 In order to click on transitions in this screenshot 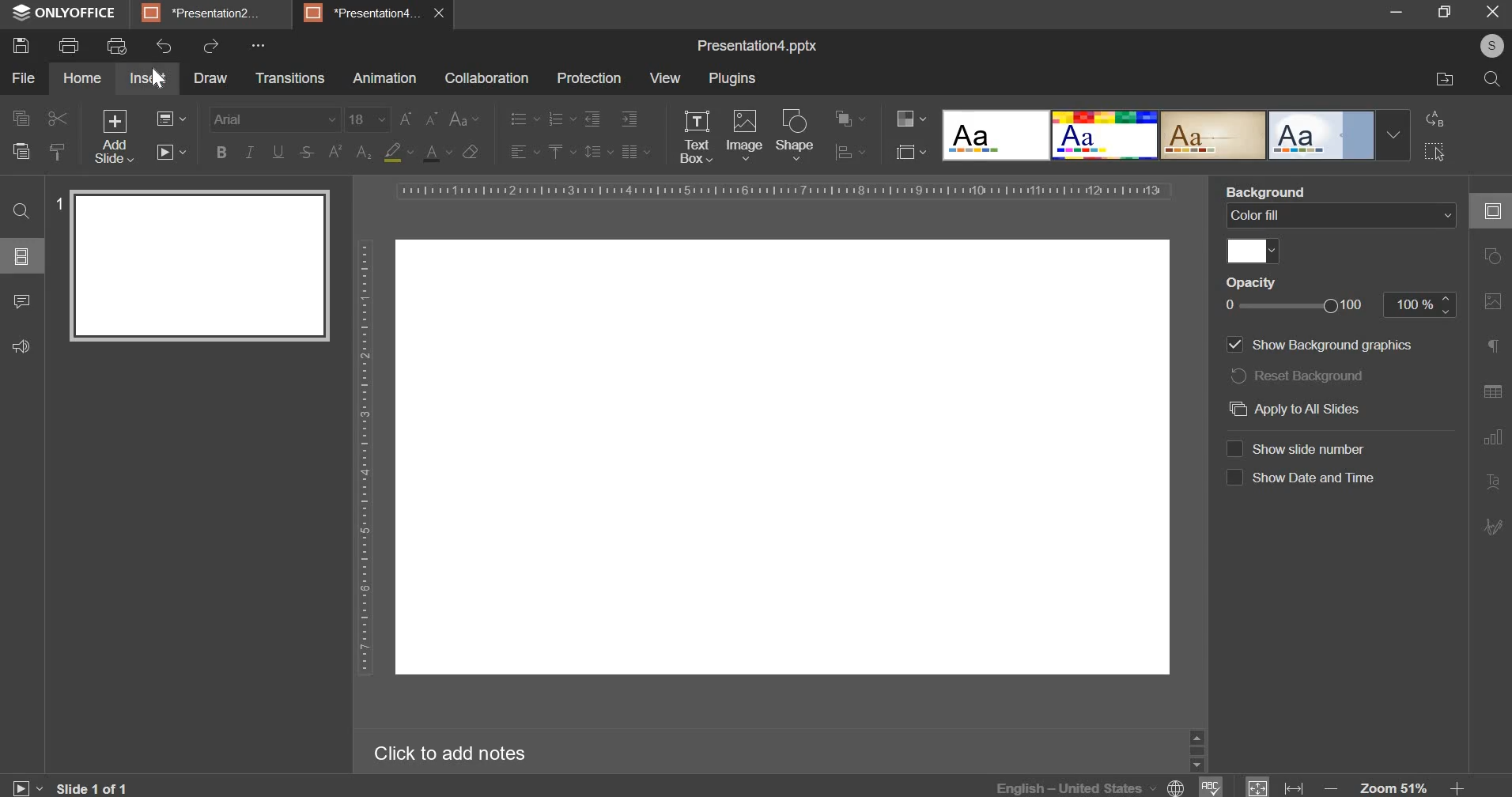, I will do `click(290, 78)`.